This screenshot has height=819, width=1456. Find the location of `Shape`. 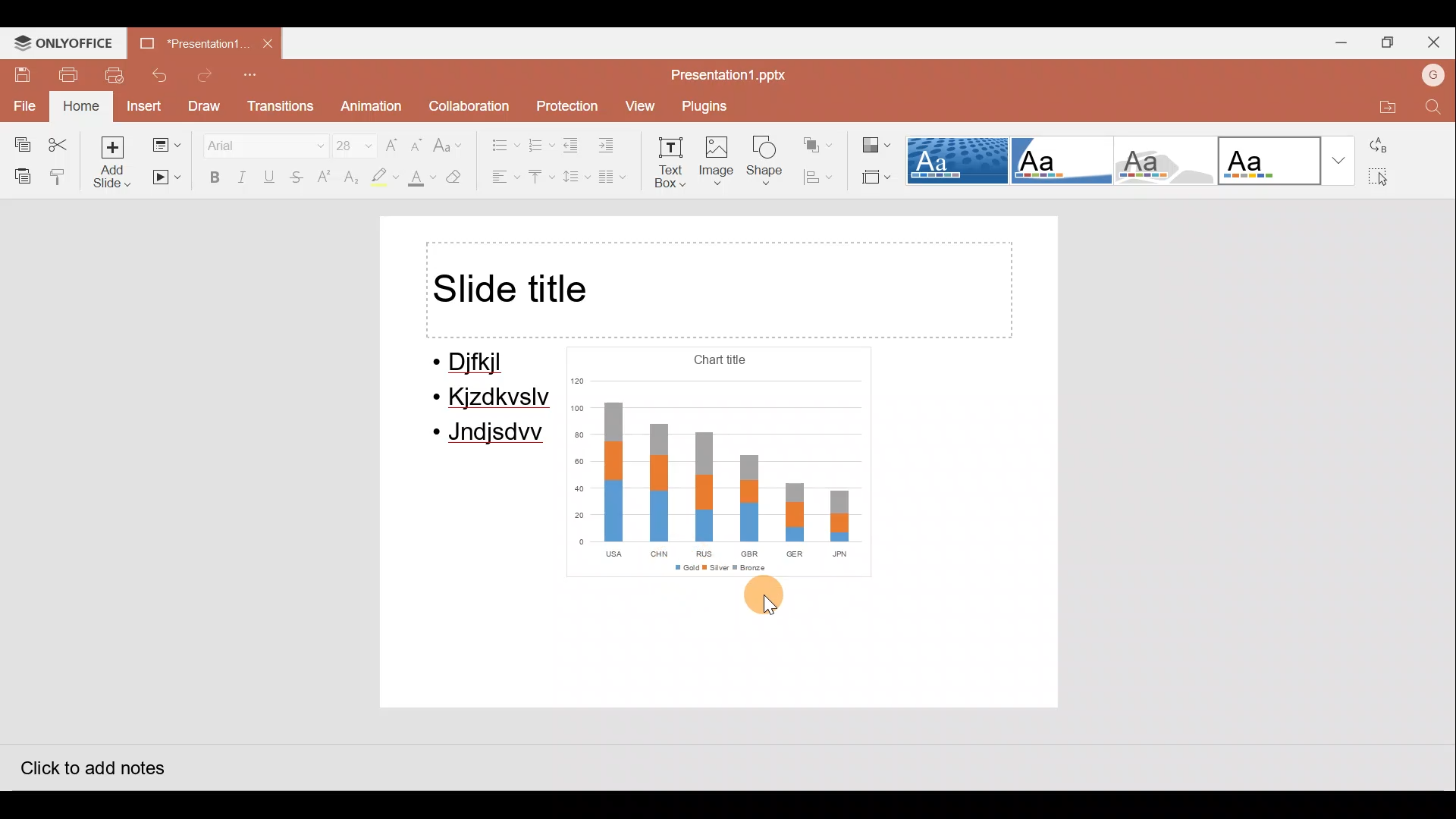

Shape is located at coordinates (769, 164).